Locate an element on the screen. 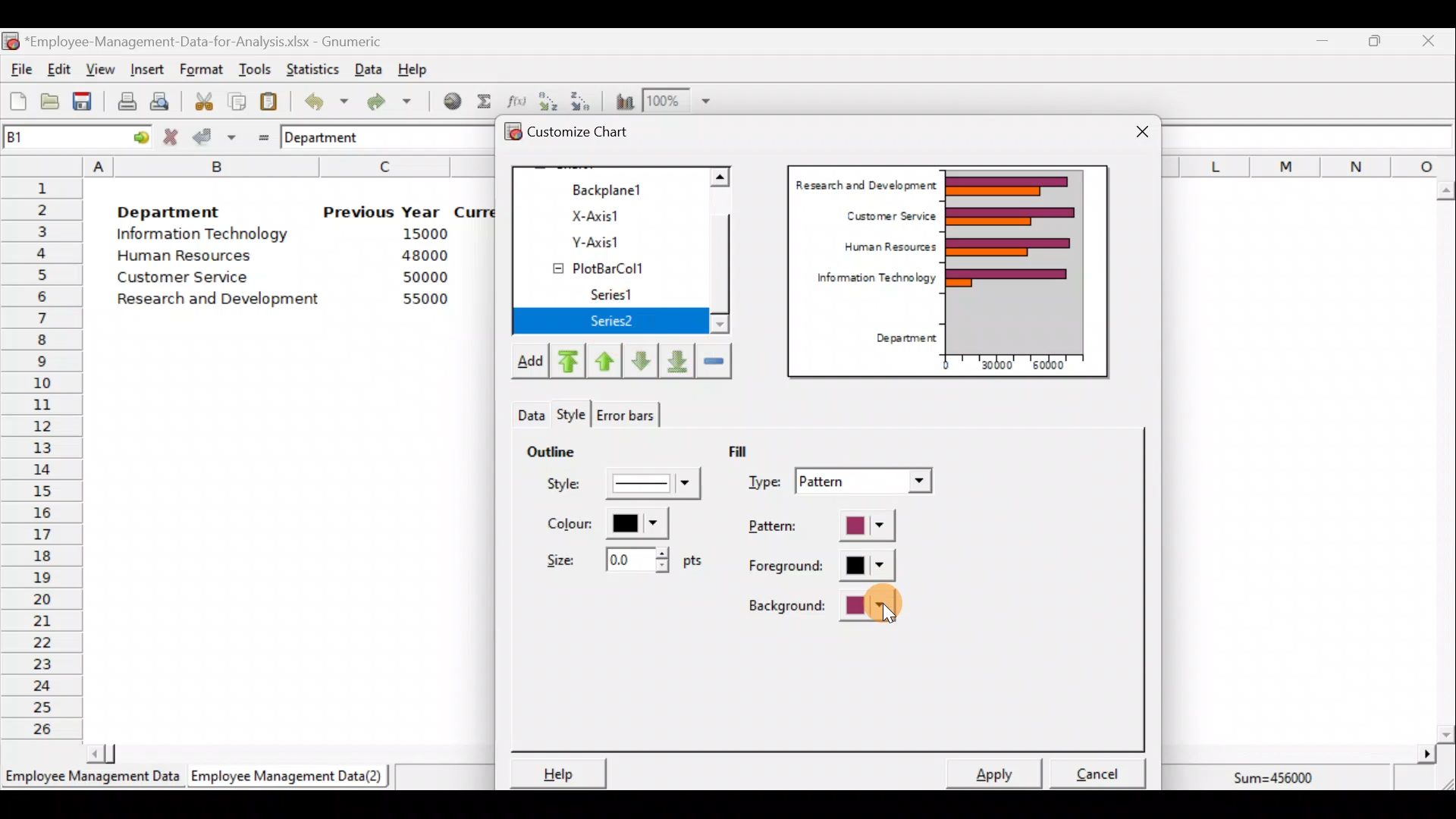  Customer Service is located at coordinates (887, 214).